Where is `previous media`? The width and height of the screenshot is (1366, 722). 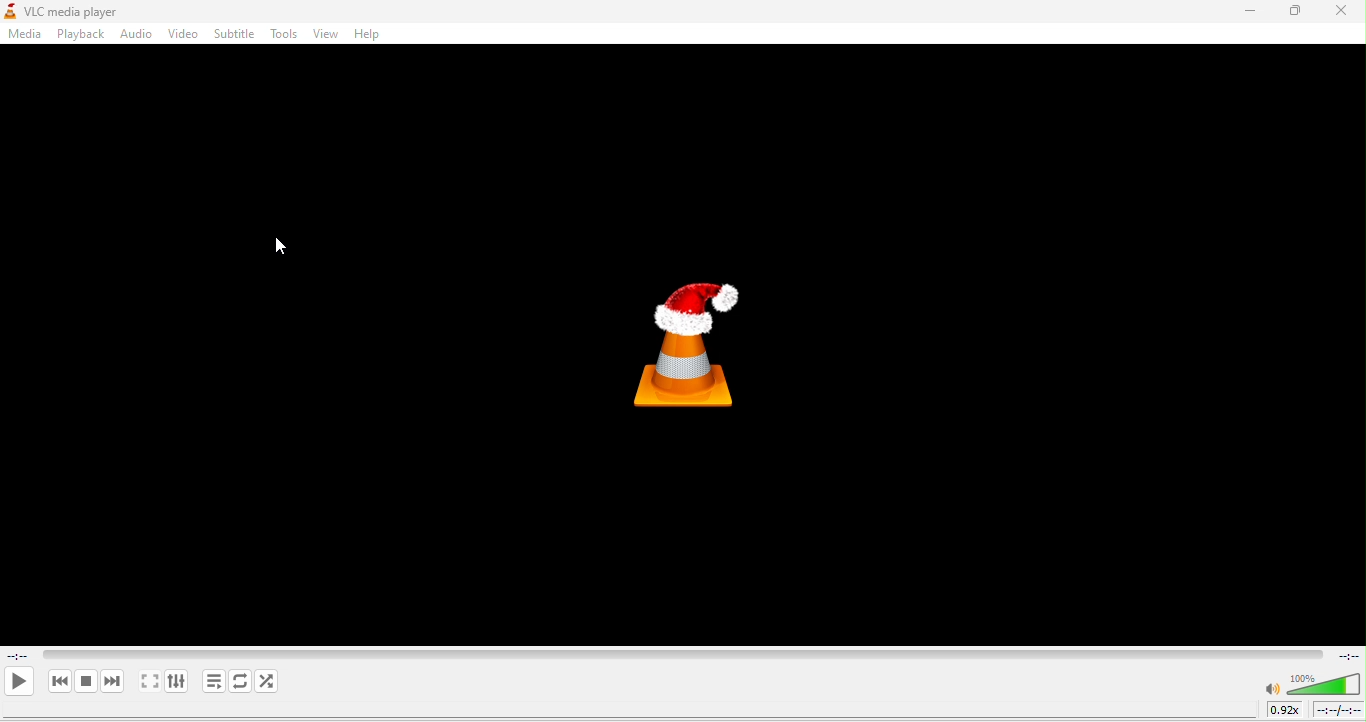 previous media is located at coordinates (59, 682).